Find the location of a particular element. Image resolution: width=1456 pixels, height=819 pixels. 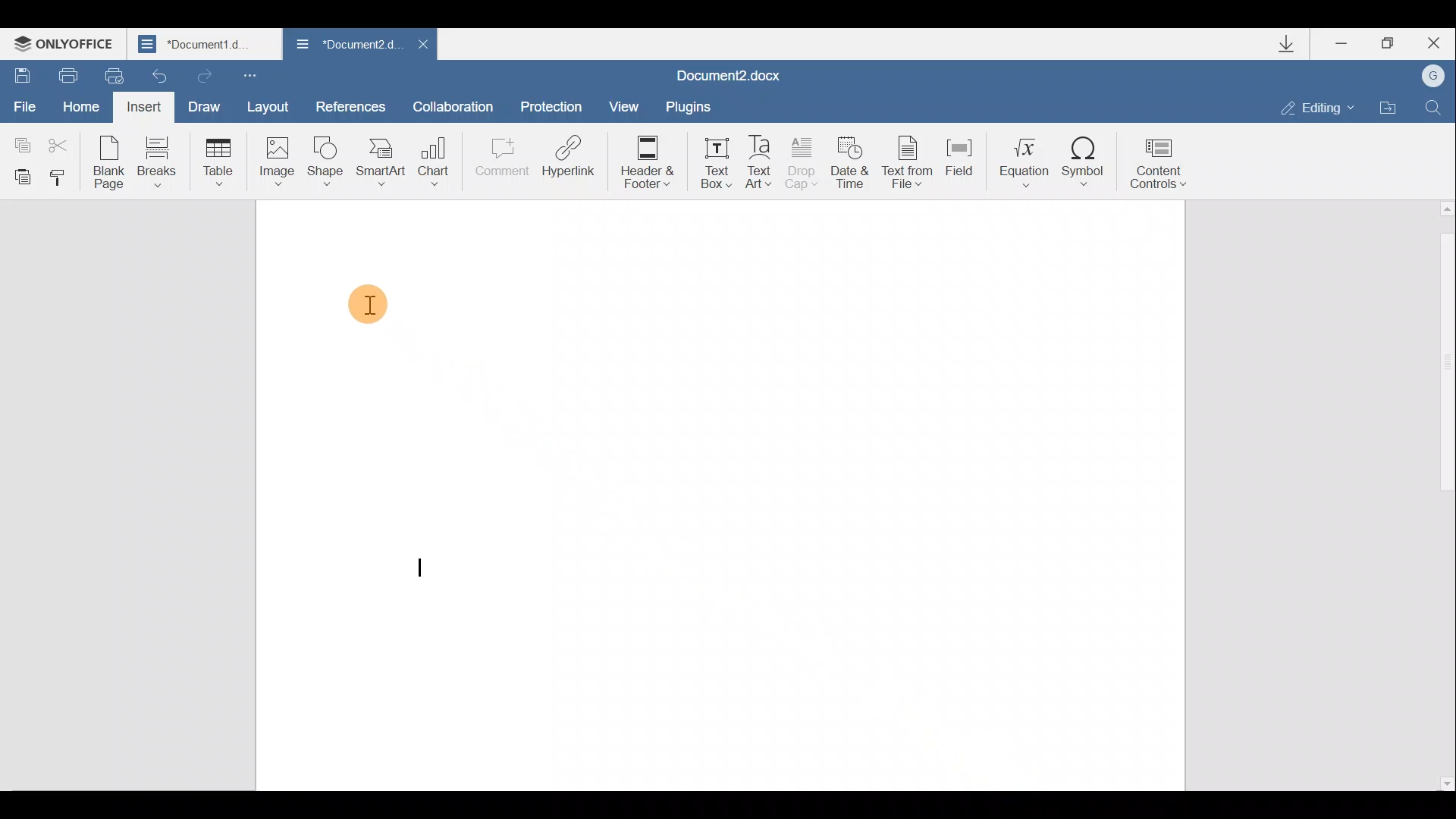

Cut is located at coordinates (63, 140).